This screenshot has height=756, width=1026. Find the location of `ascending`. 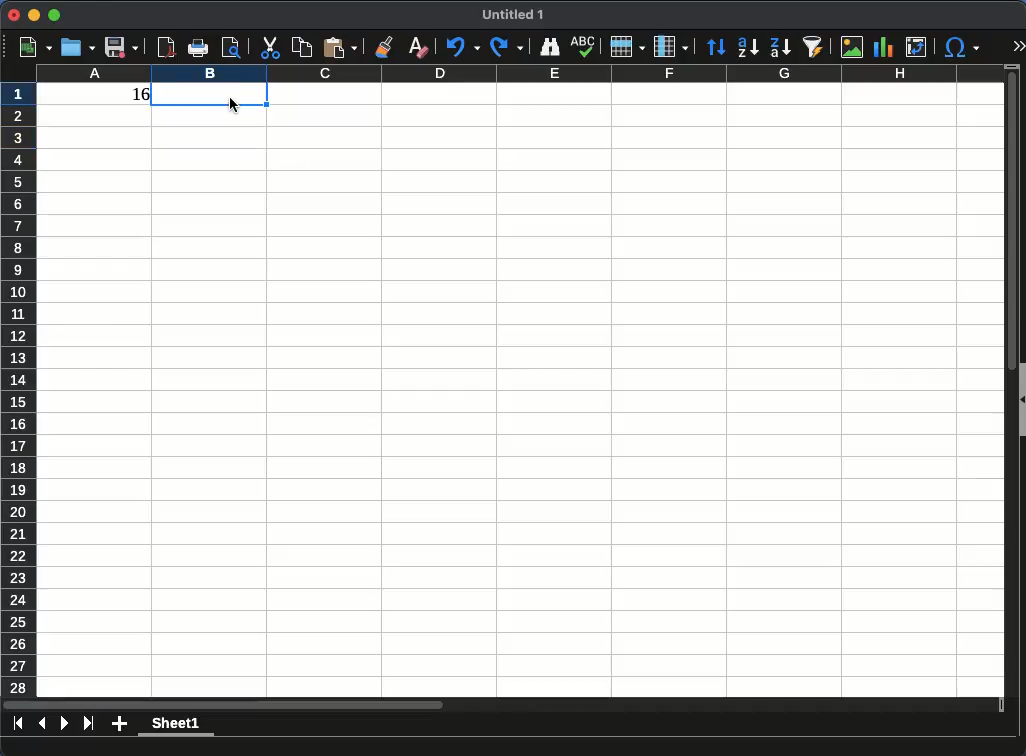

ascending is located at coordinates (748, 48).